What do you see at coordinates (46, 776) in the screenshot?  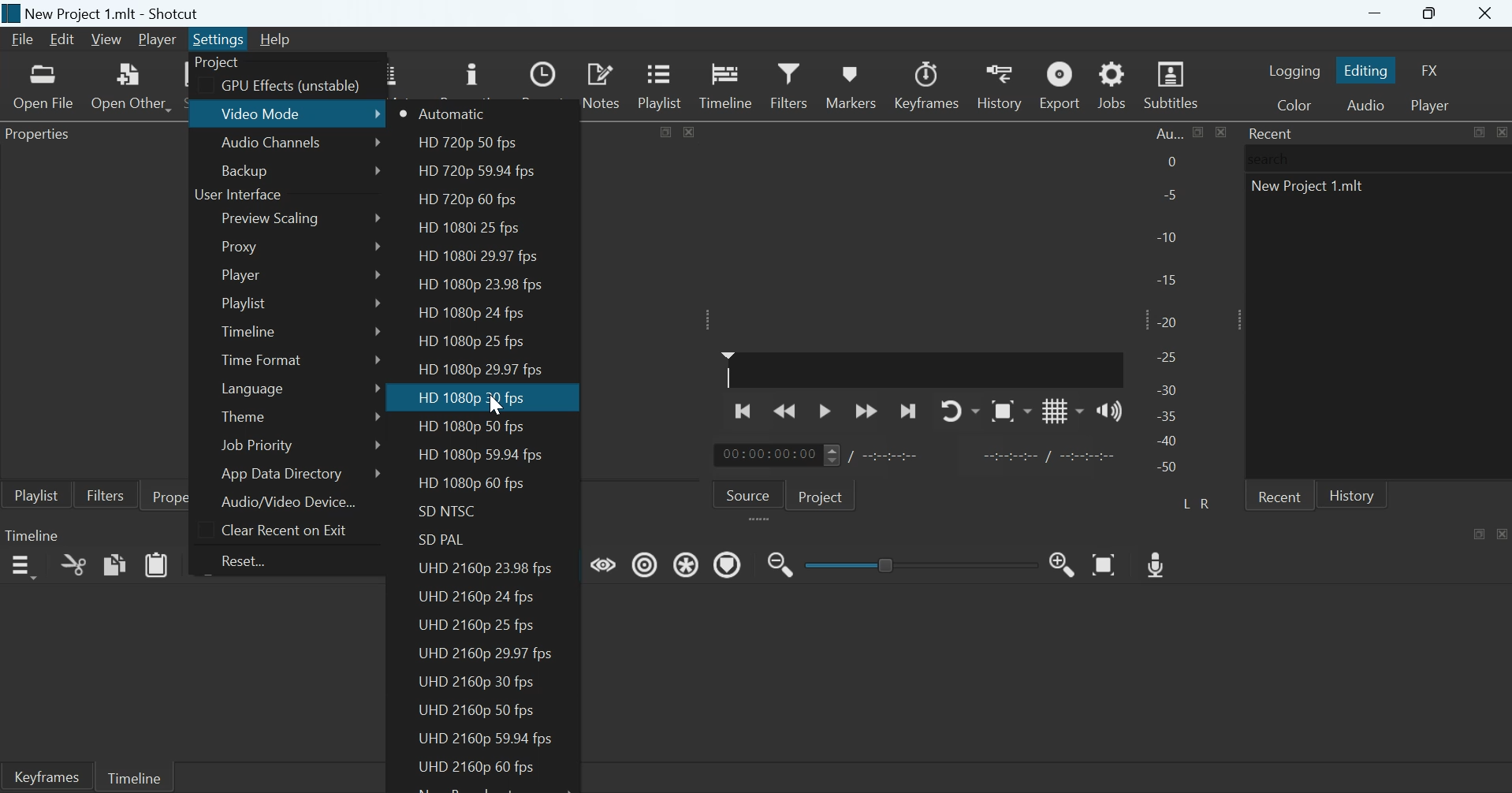 I see `Keyframes` at bounding box center [46, 776].